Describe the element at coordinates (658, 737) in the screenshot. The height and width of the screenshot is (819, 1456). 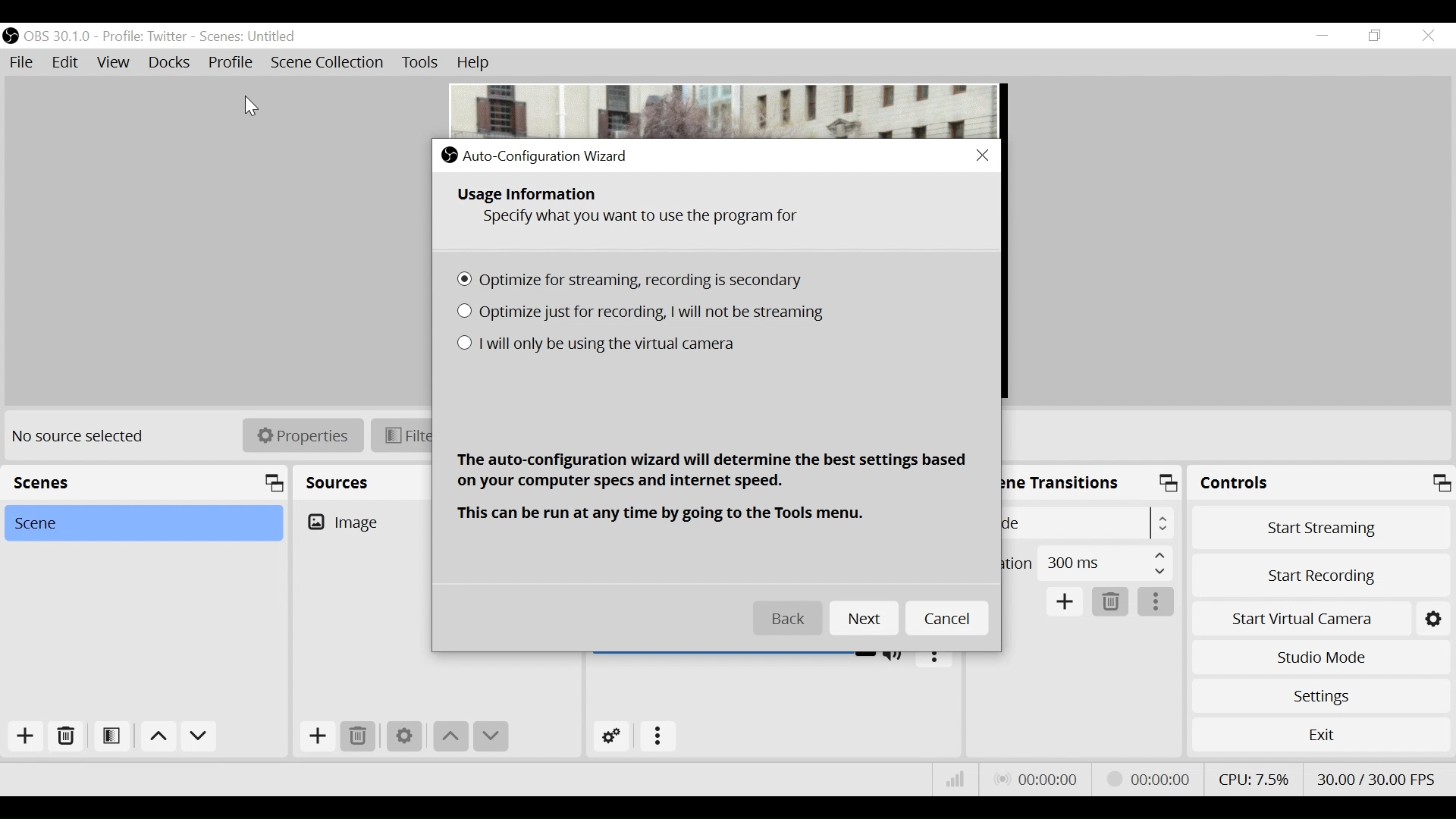
I see `More Options` at that location.